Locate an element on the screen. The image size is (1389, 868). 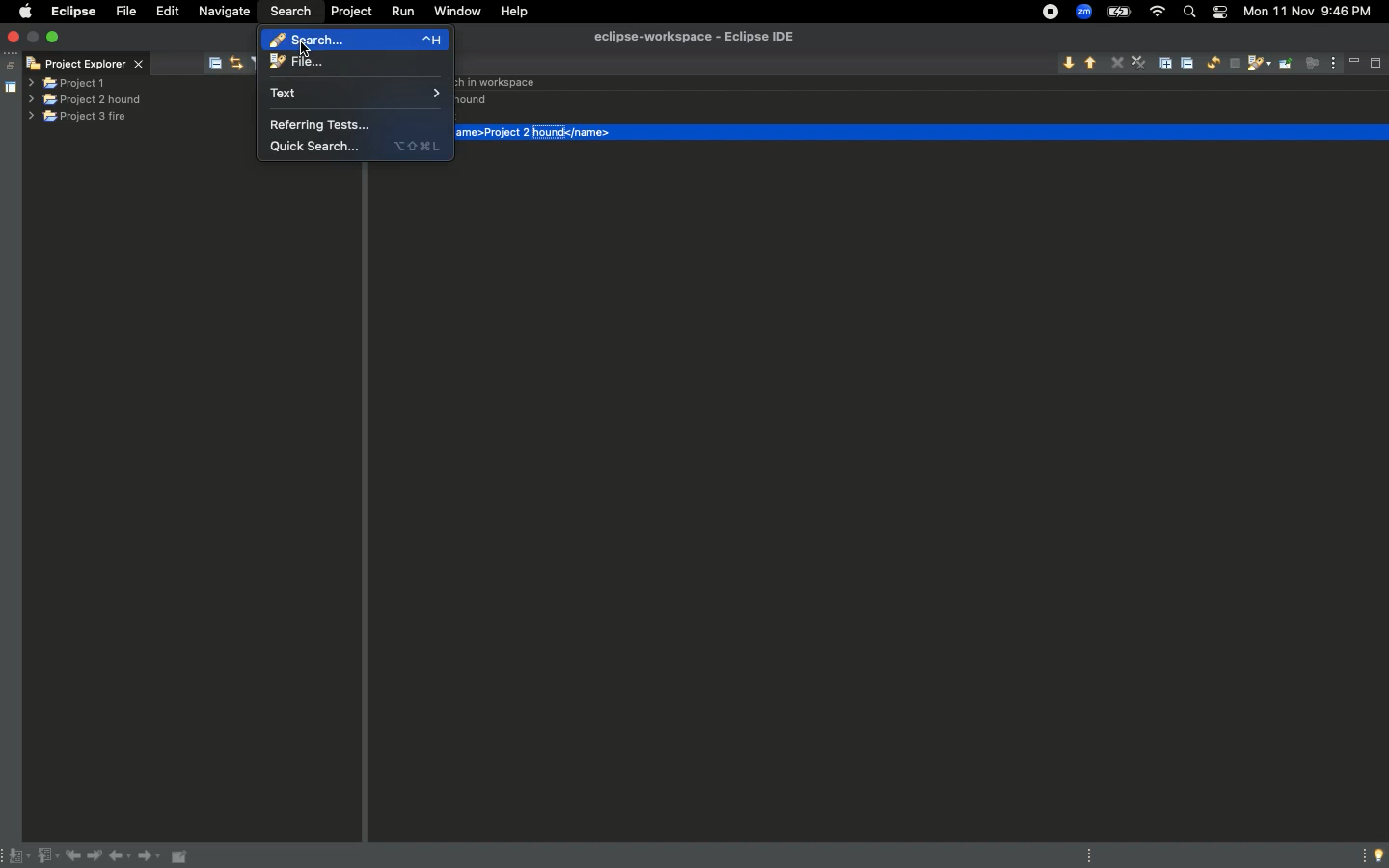
File is located at coordinates (128, 12).